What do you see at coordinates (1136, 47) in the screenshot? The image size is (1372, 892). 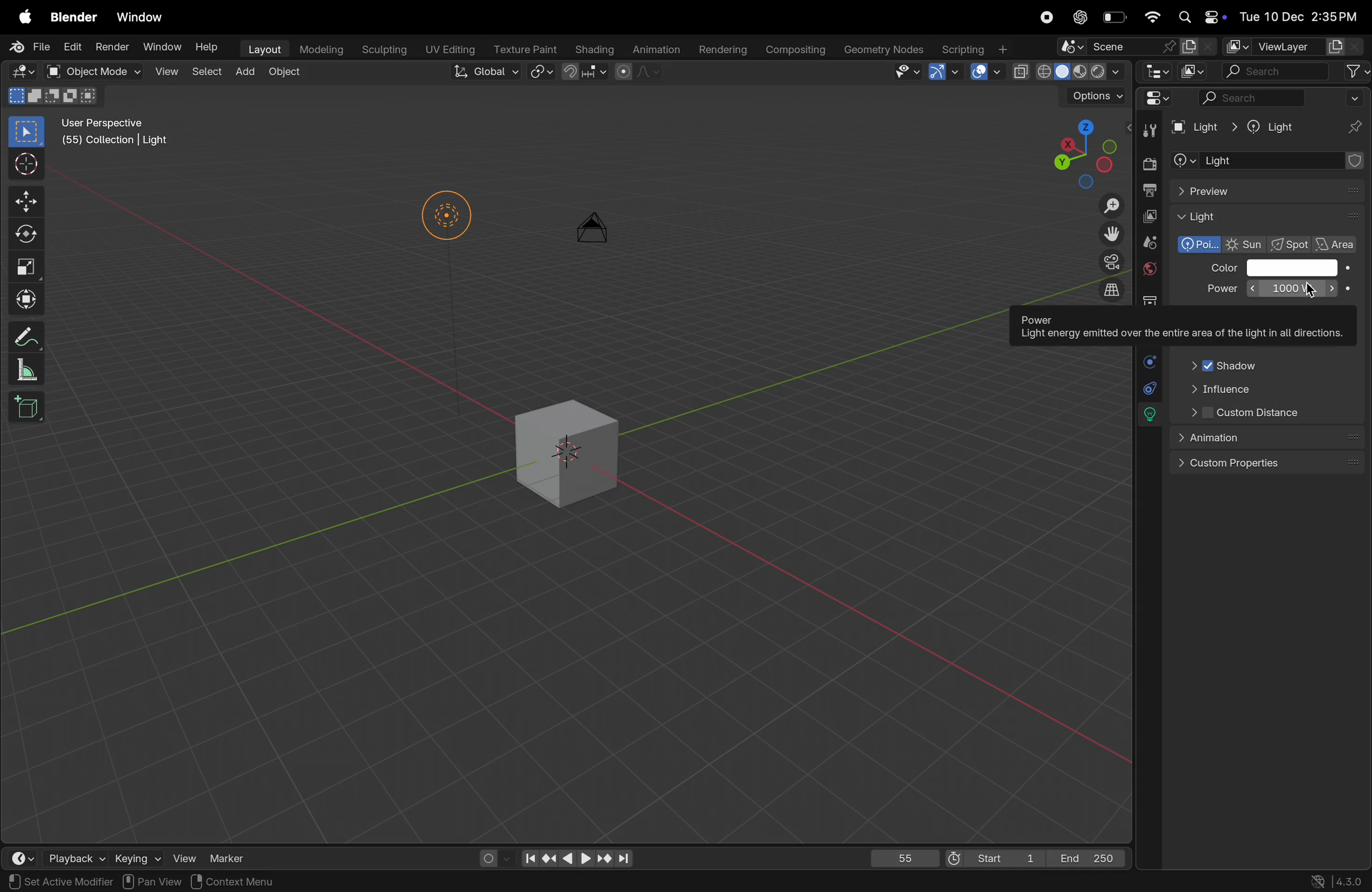 I see `scene` at bounding box center [1136, 47].